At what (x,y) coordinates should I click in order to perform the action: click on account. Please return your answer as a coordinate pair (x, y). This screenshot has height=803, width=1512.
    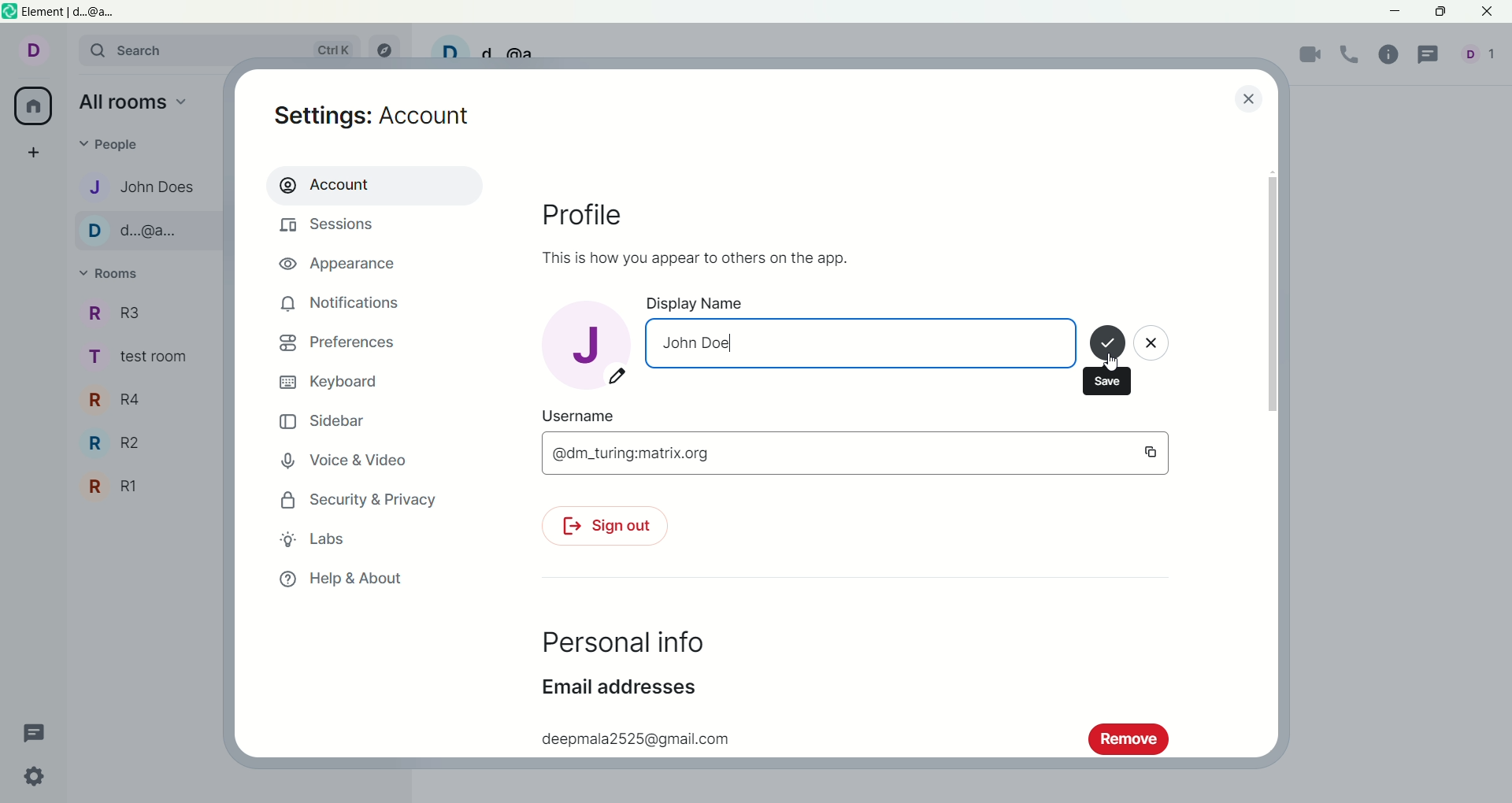
    Looking at the image, I should click on (372, 184).